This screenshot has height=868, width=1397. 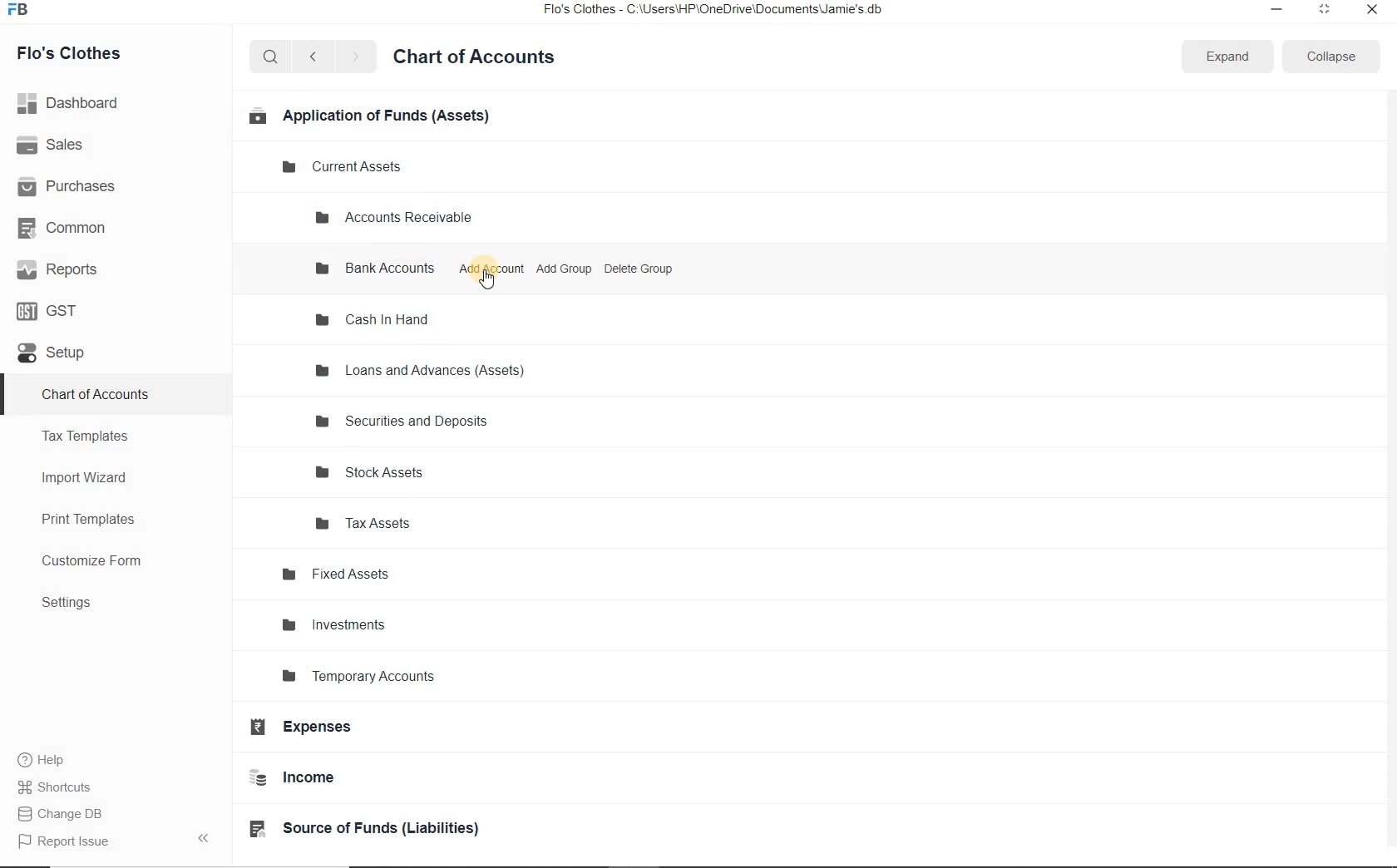 I want to click on Stock Assets, so click(x=383, y=472).